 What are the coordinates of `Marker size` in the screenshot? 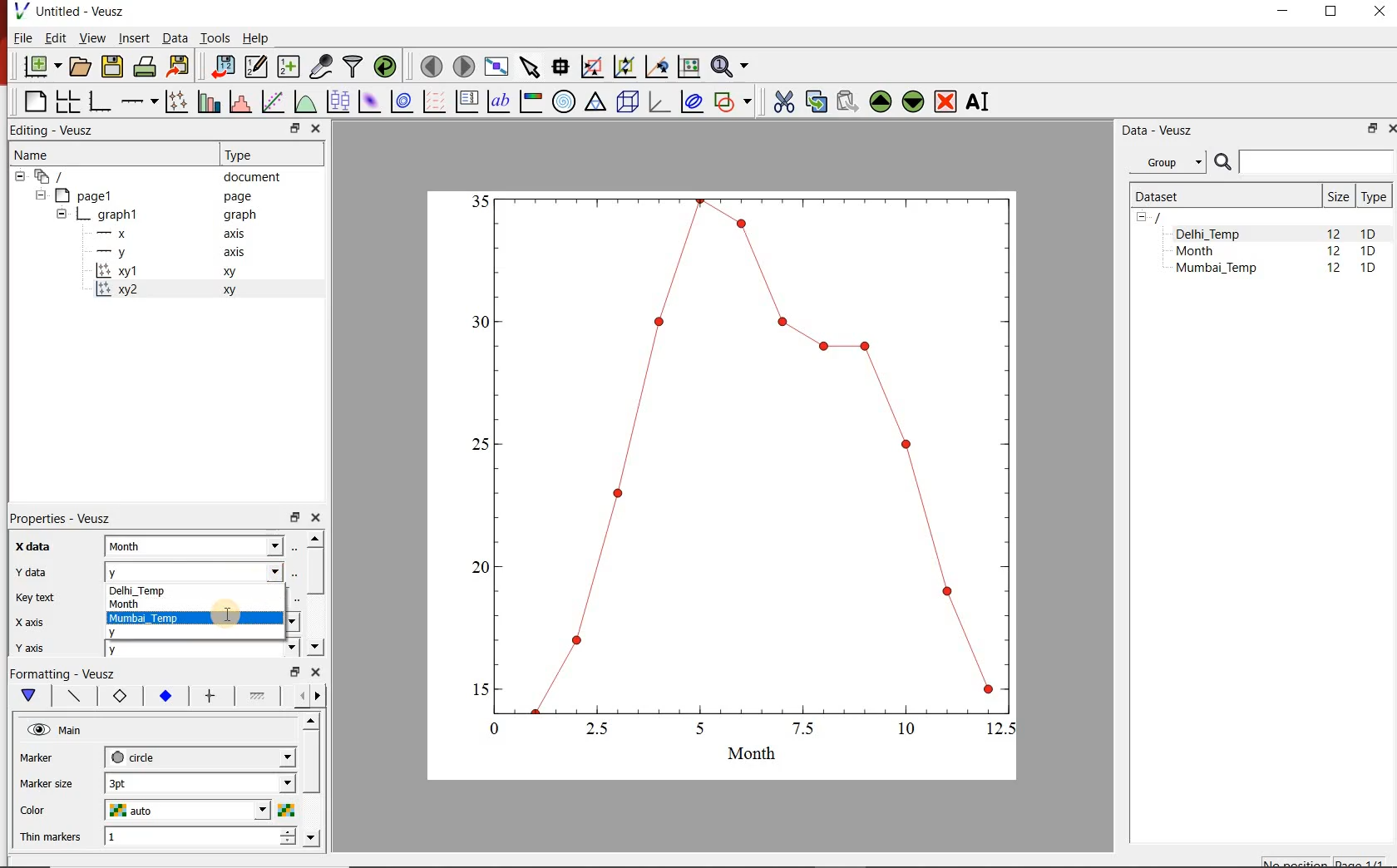 It's located at (47, 785).